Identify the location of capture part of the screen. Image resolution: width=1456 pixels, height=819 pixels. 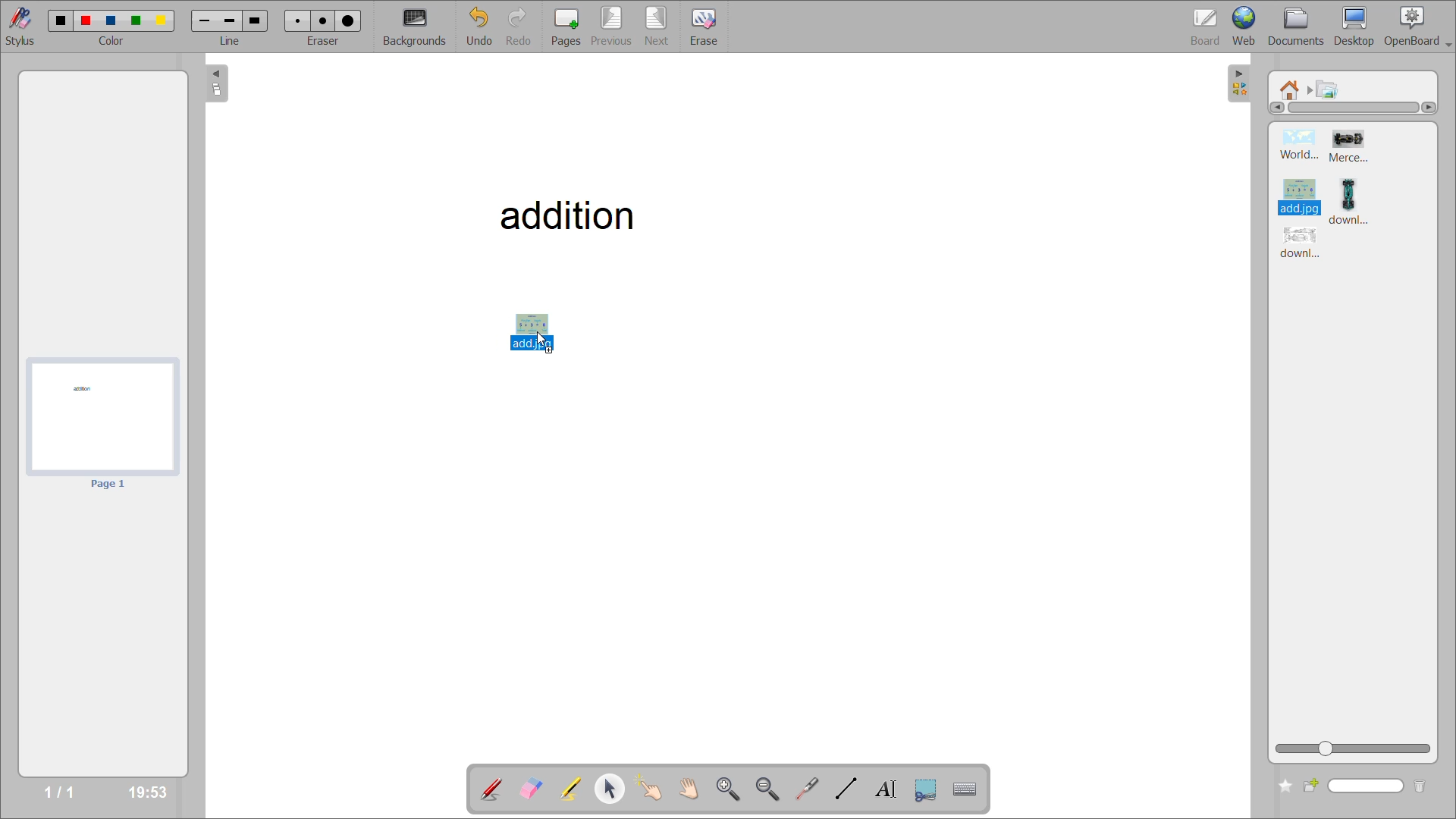
(927, 790).